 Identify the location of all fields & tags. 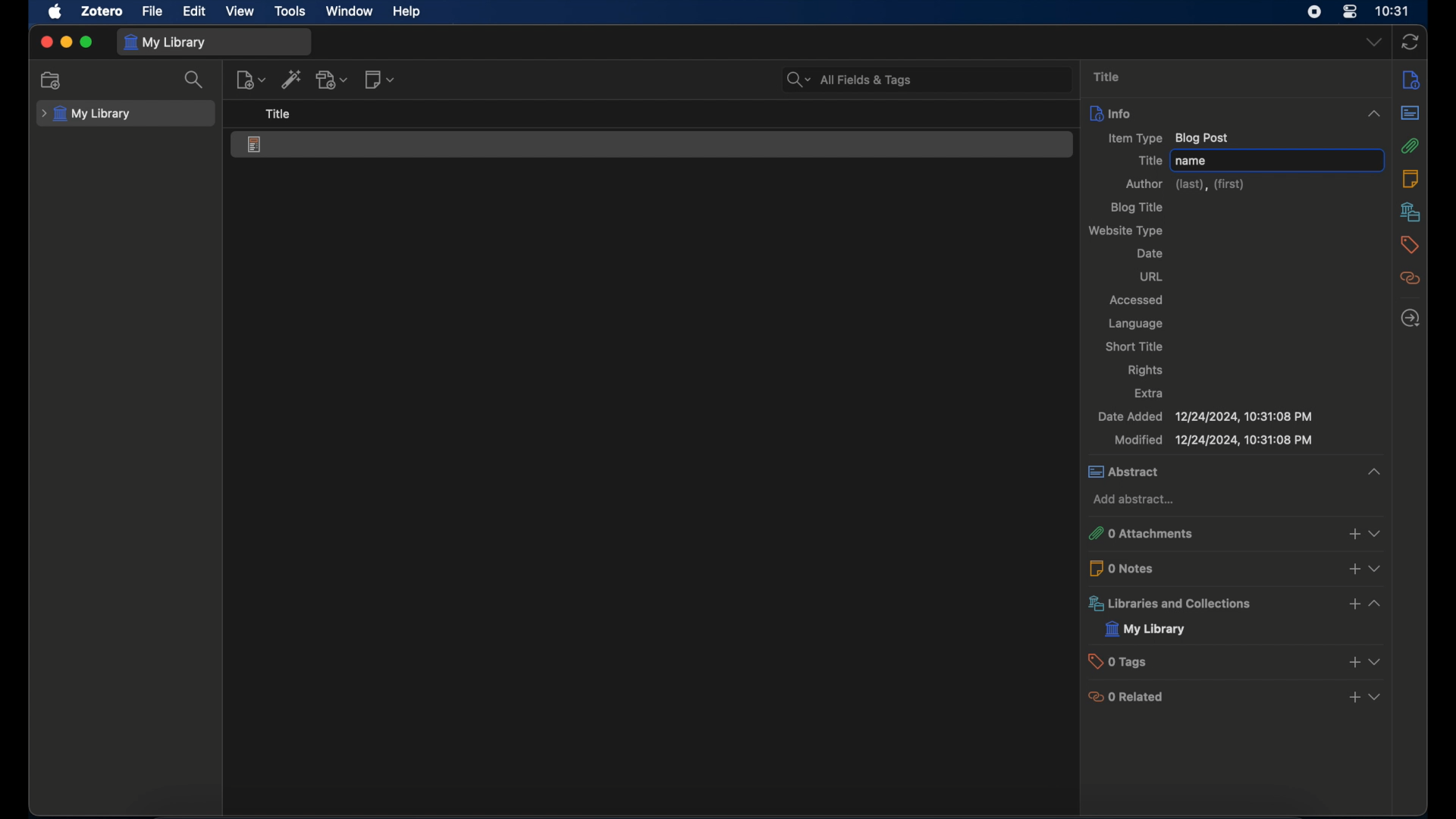
(851, 80).